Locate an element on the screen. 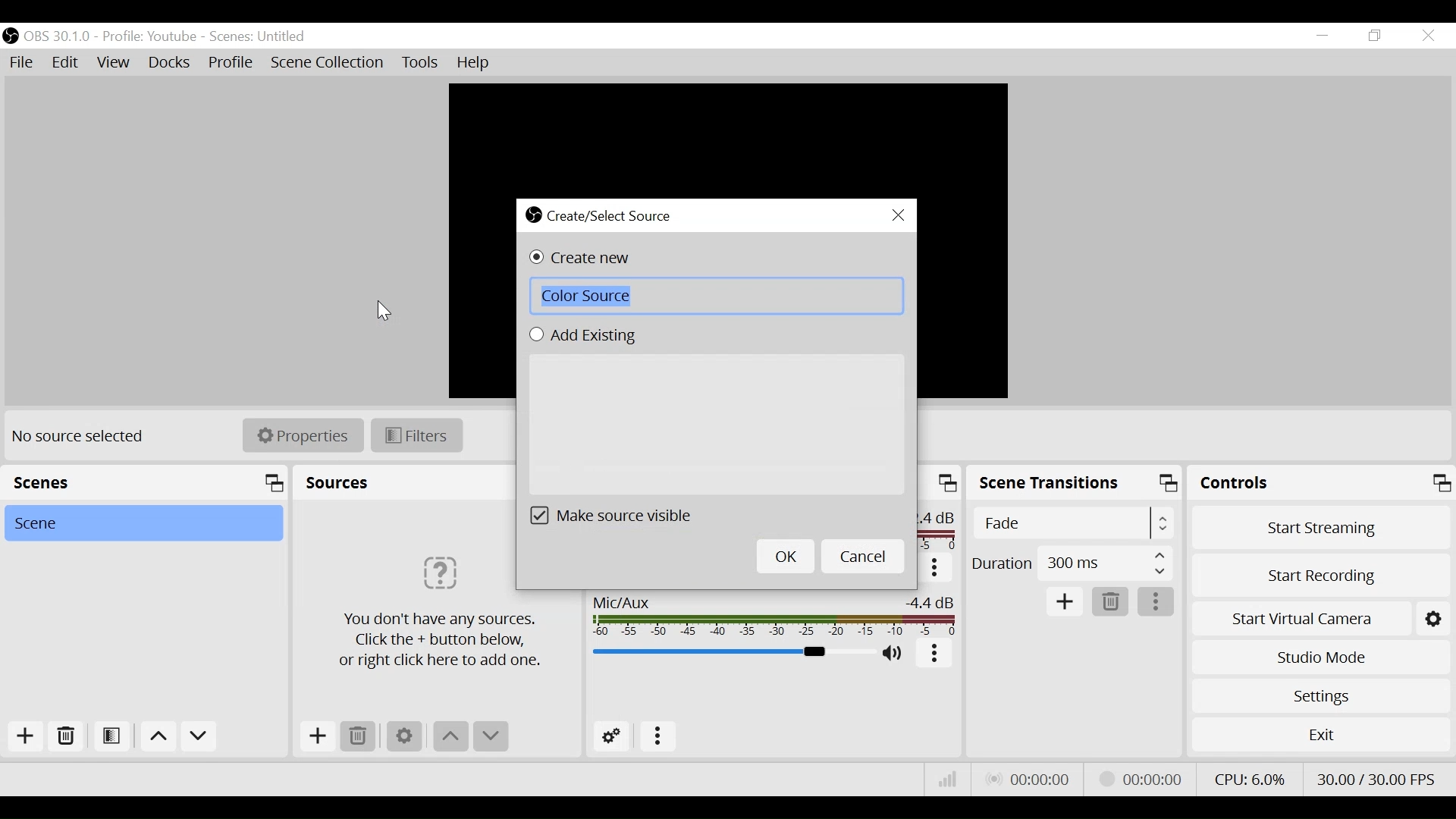 The image size is (1456, 819). Properties is located at coordinates (302, 435).